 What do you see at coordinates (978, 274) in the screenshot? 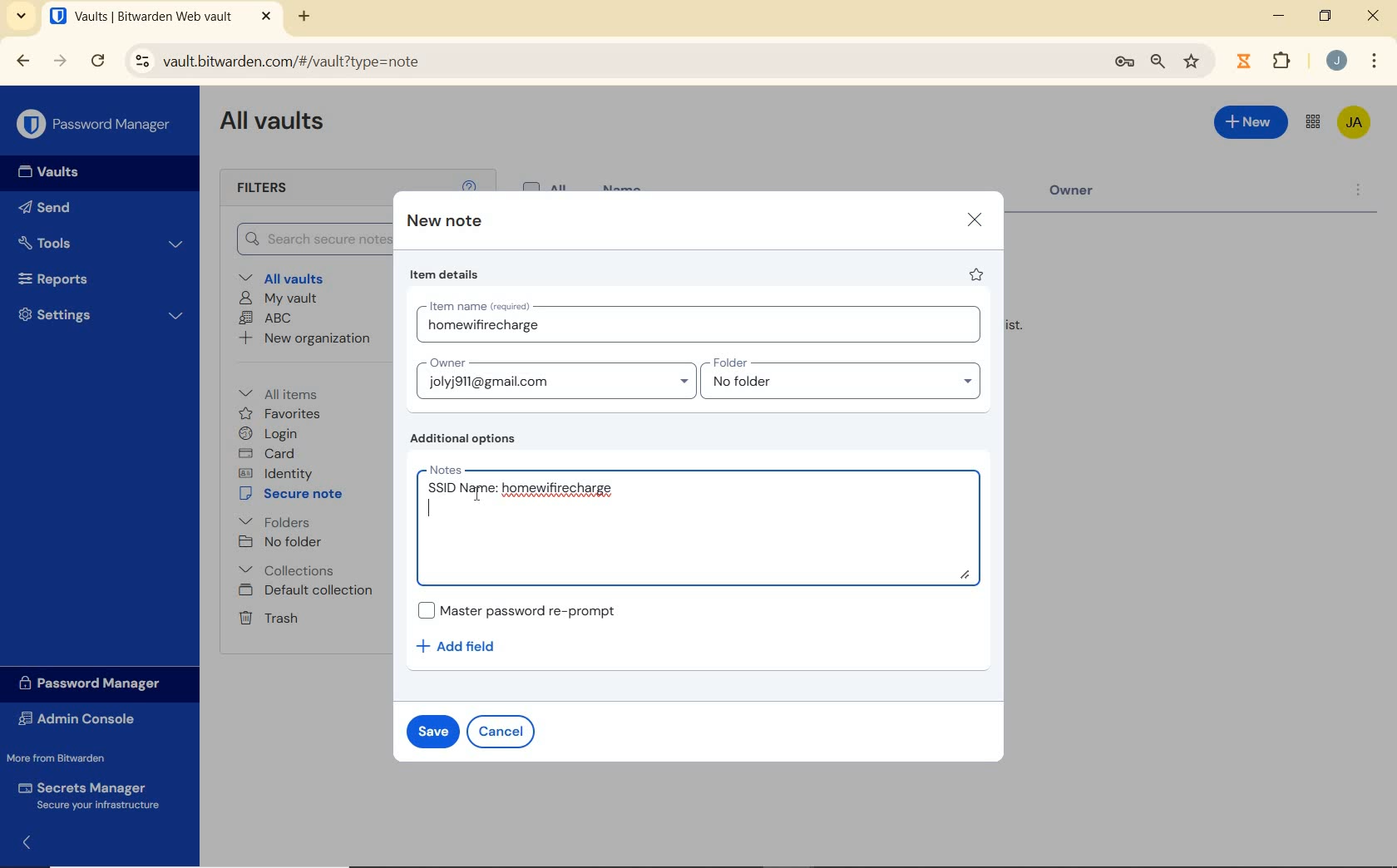
I see `favorite` at bounding box center [978, 274].